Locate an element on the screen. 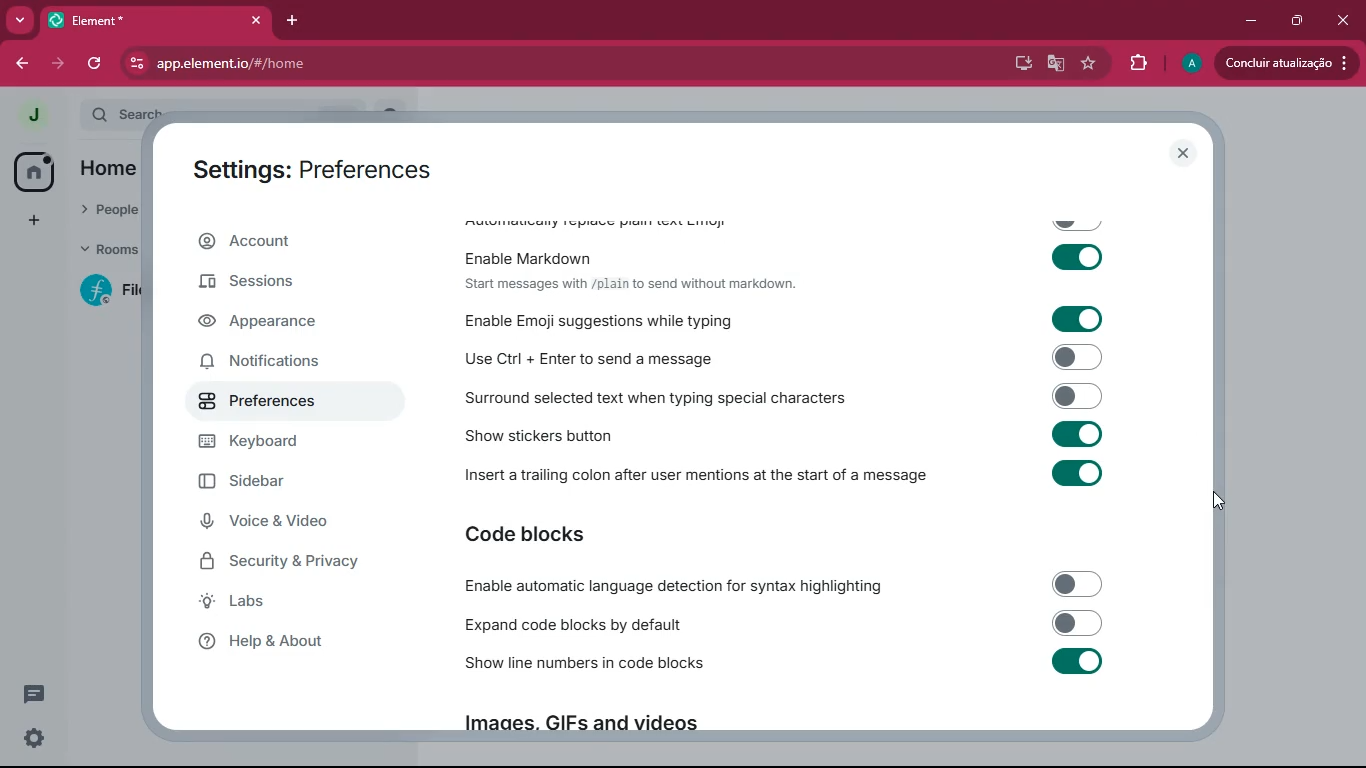 This screenshot has width=1366, height=768. keyboard is located at coordinates (287, 443).